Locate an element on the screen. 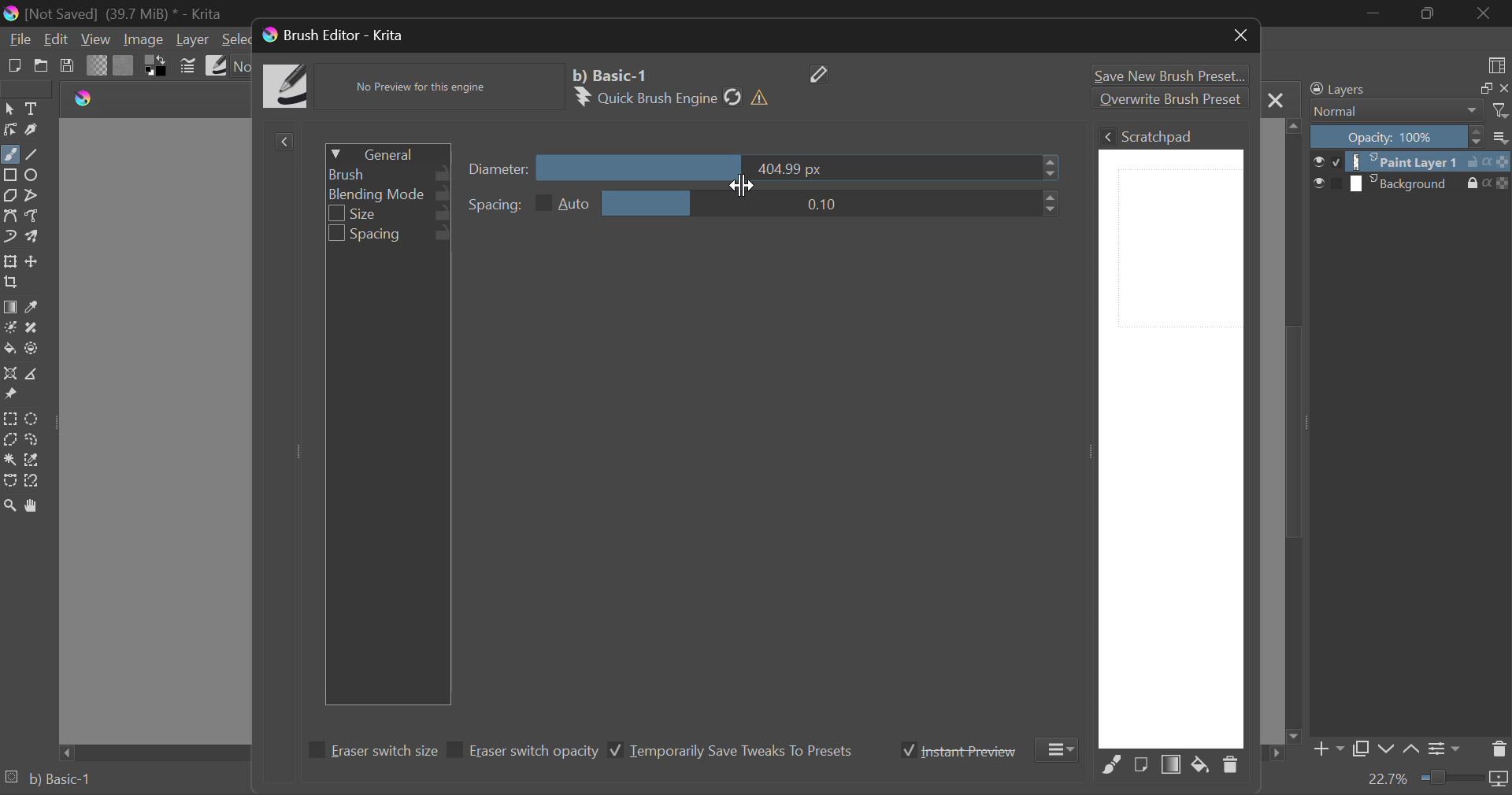  Close is located at coordinates (1484, 13).